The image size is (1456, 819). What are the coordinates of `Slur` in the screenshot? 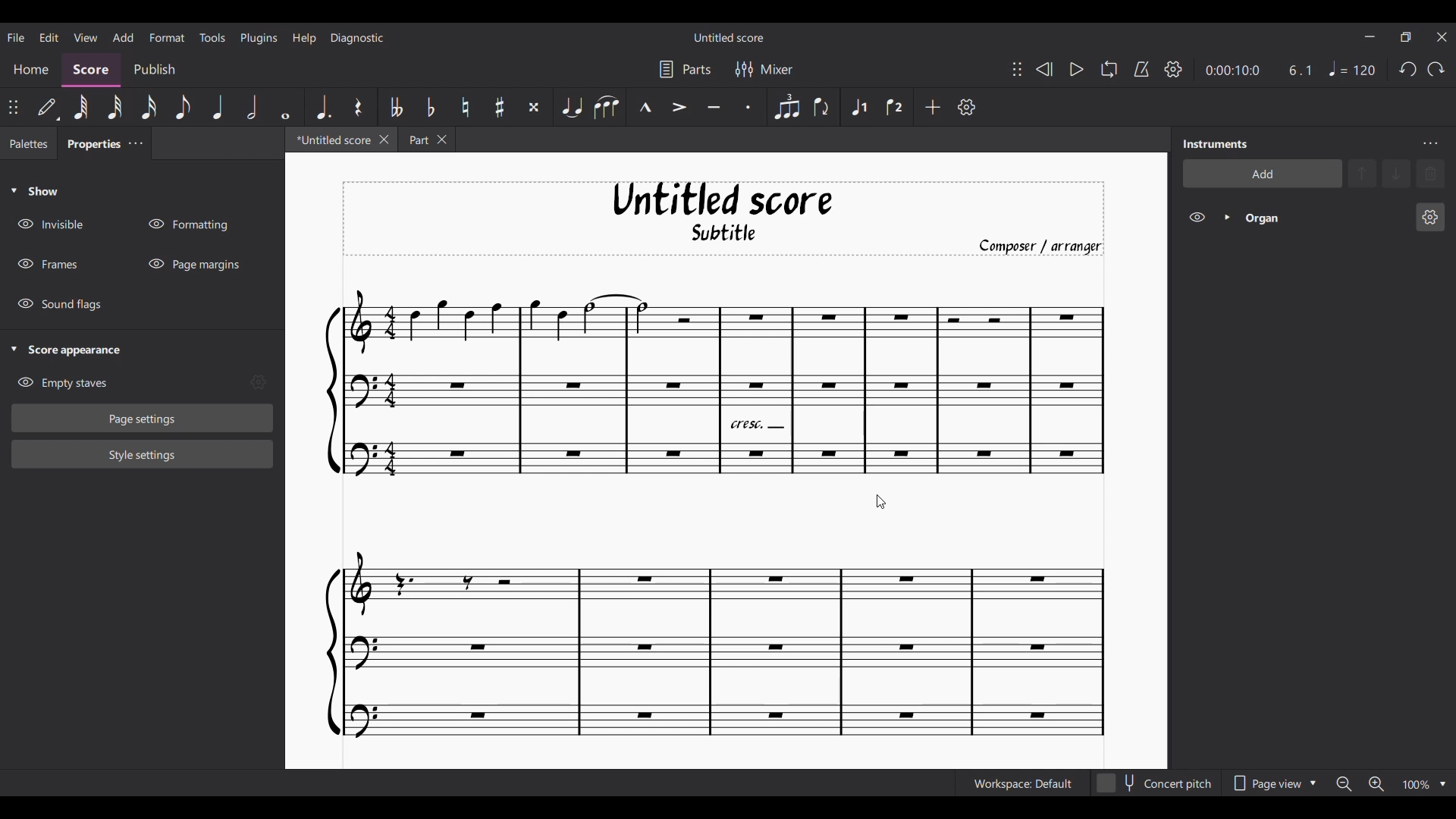 It's located at (606, 107).